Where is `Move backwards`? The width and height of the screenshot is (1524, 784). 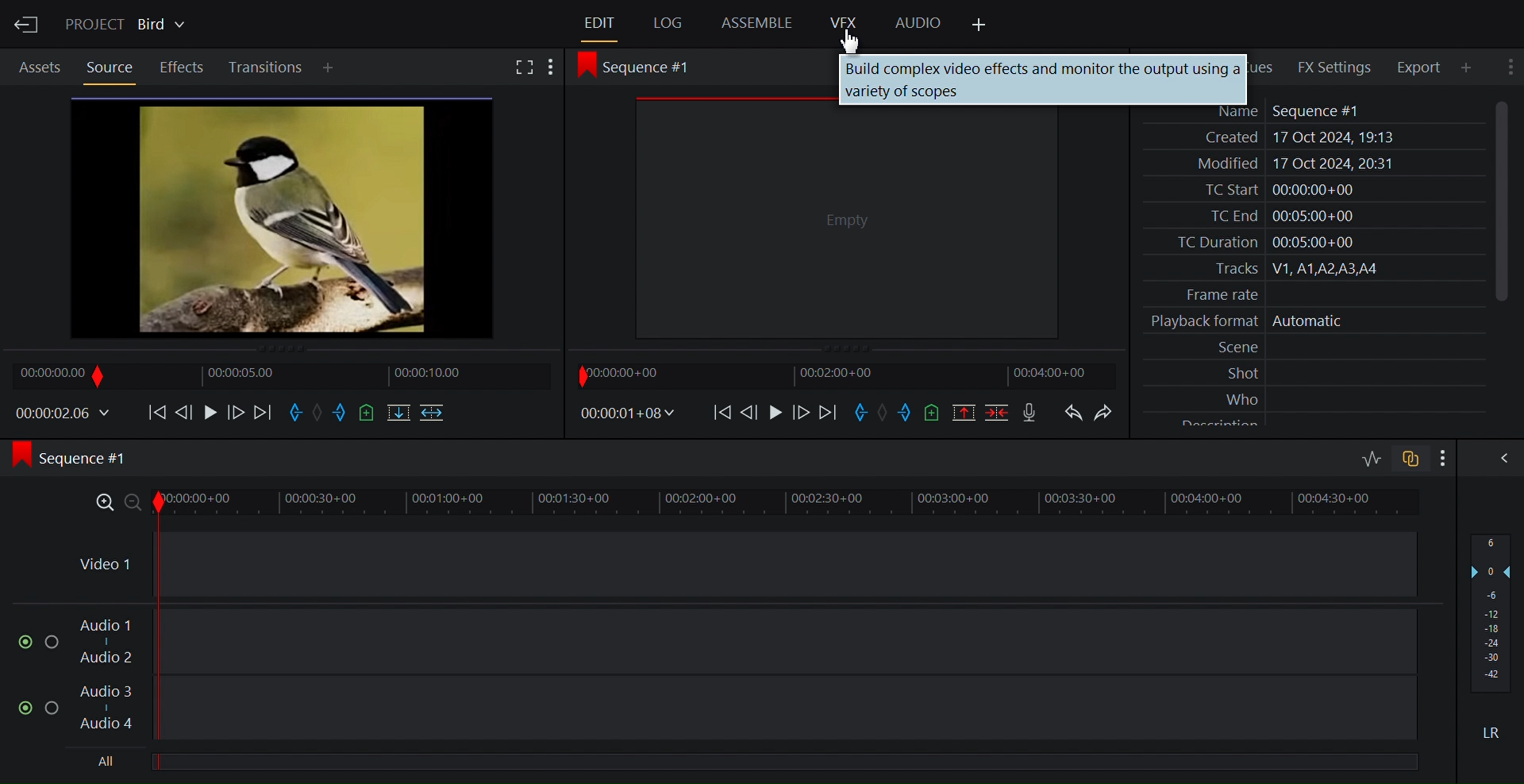 Move backwards is located at coordinates (156, 412).